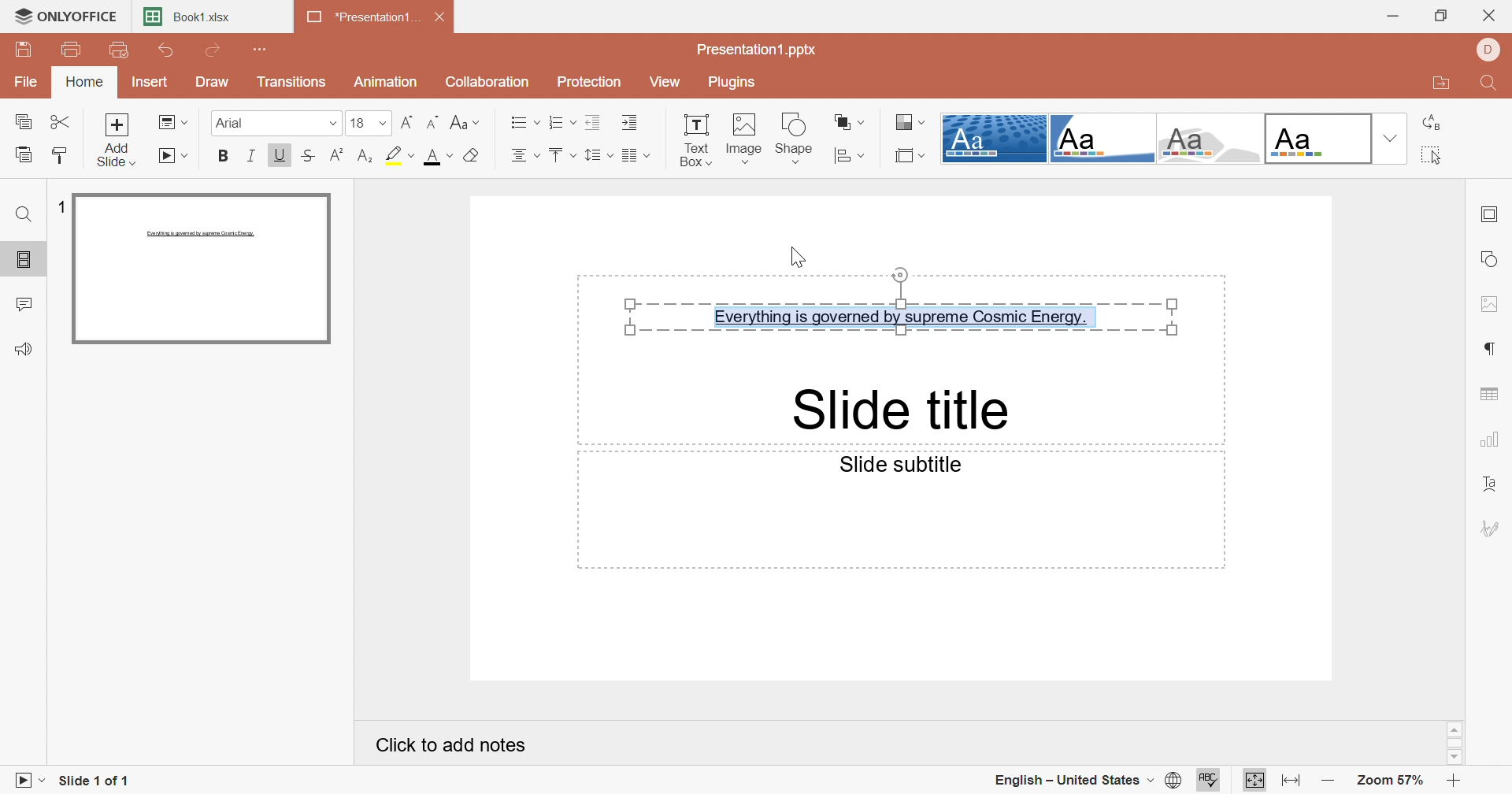 This screenshot has height=794, width=1512. I want to click on DELL, so click(1488, 50).